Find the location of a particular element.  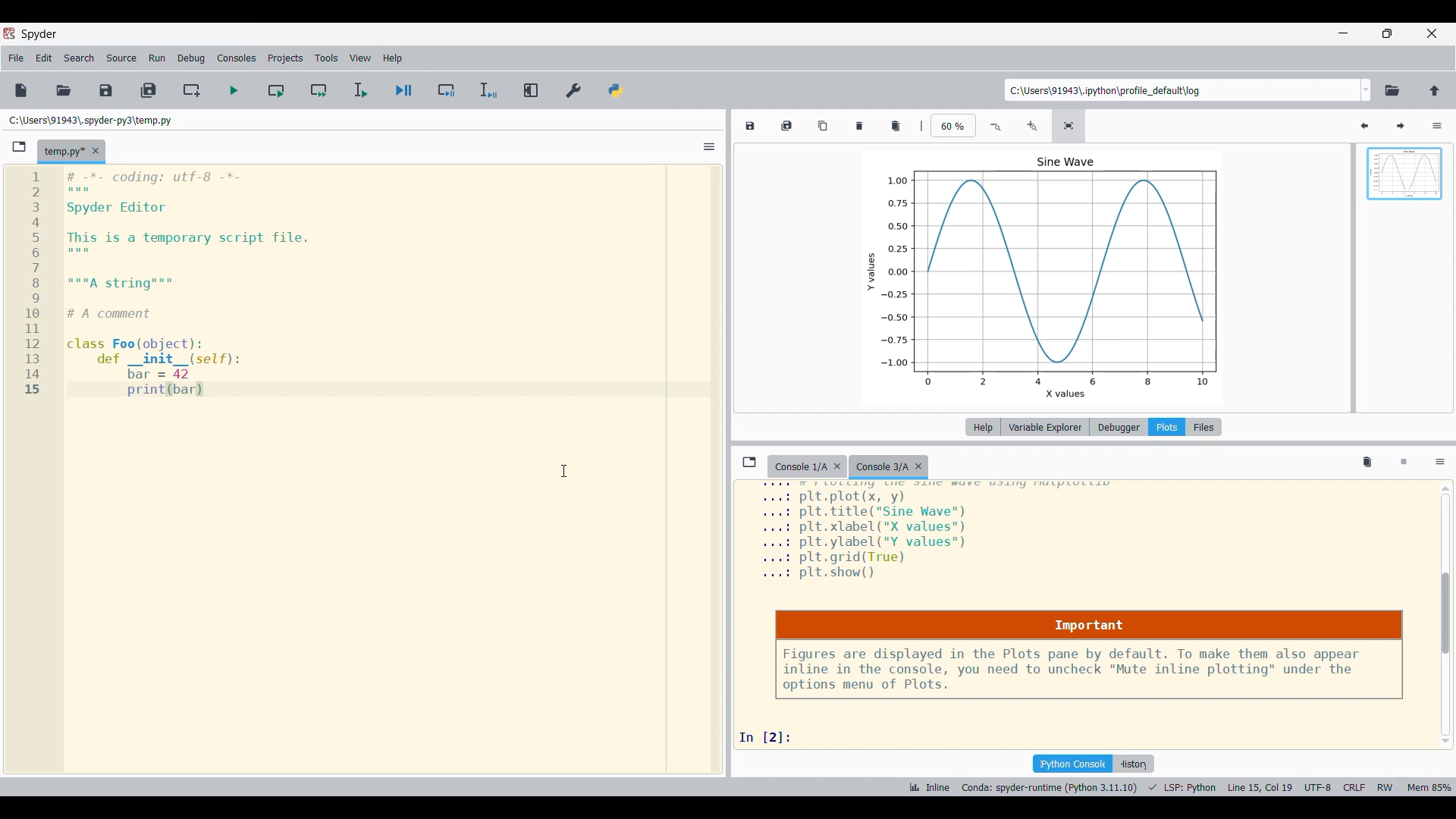

Fit plot to pane size, current selection highlighted is located at coordinates (1068, 126).